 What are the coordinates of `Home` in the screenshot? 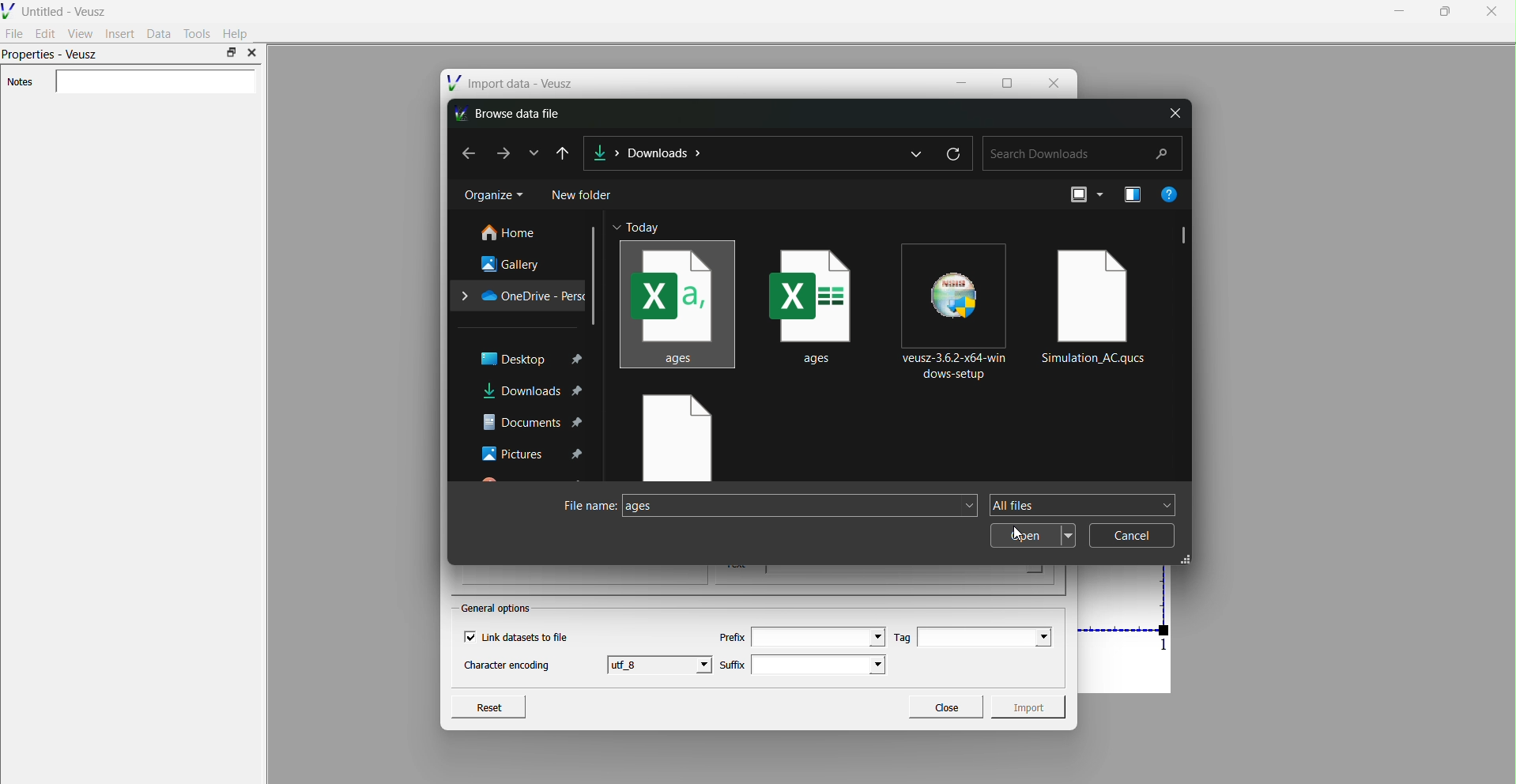 It's located at (511, 233).